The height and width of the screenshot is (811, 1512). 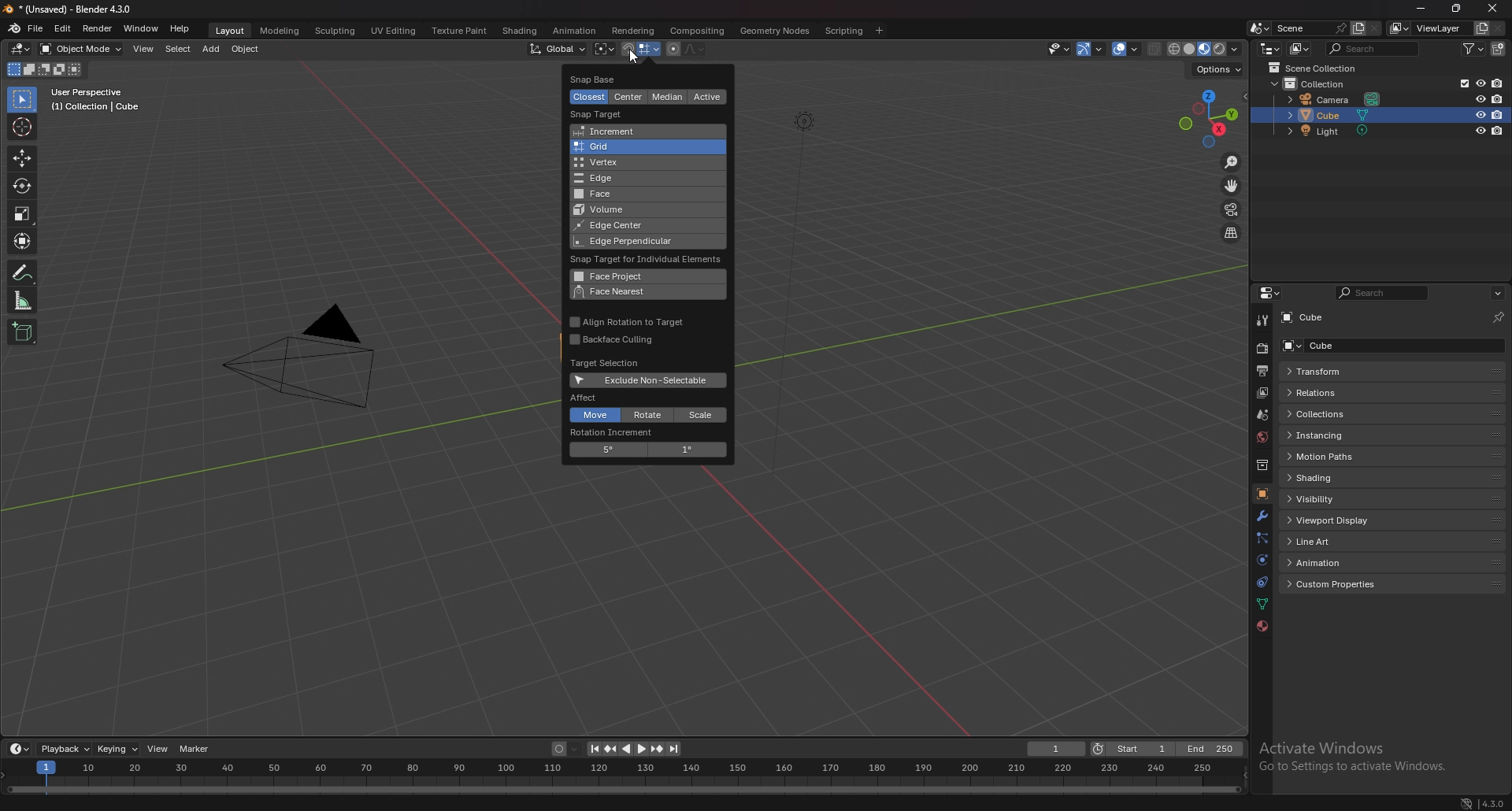 I want to click on animation, so click(x=575, y=31).